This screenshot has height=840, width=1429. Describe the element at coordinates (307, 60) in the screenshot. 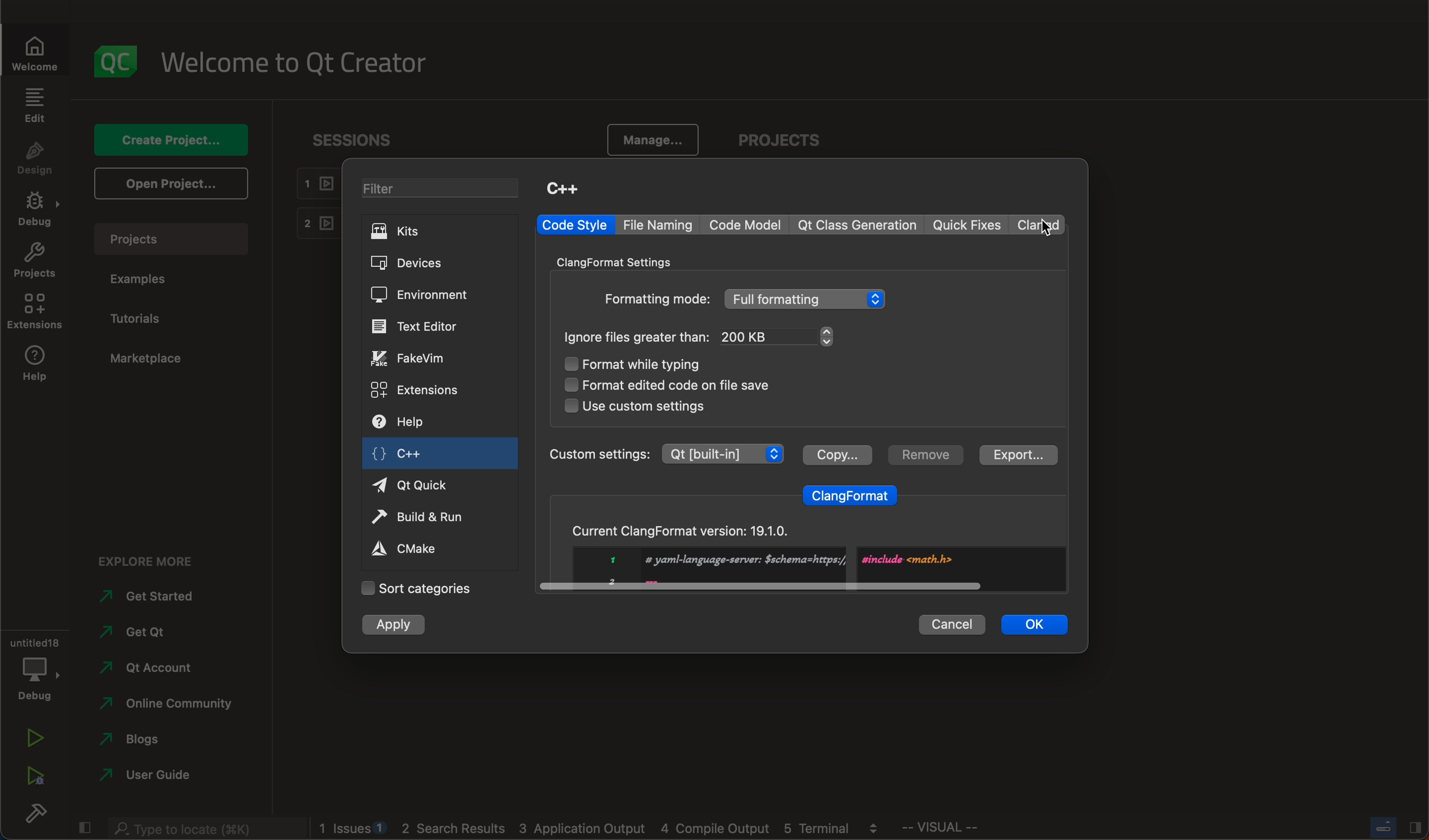

I see `welcome` at that location.